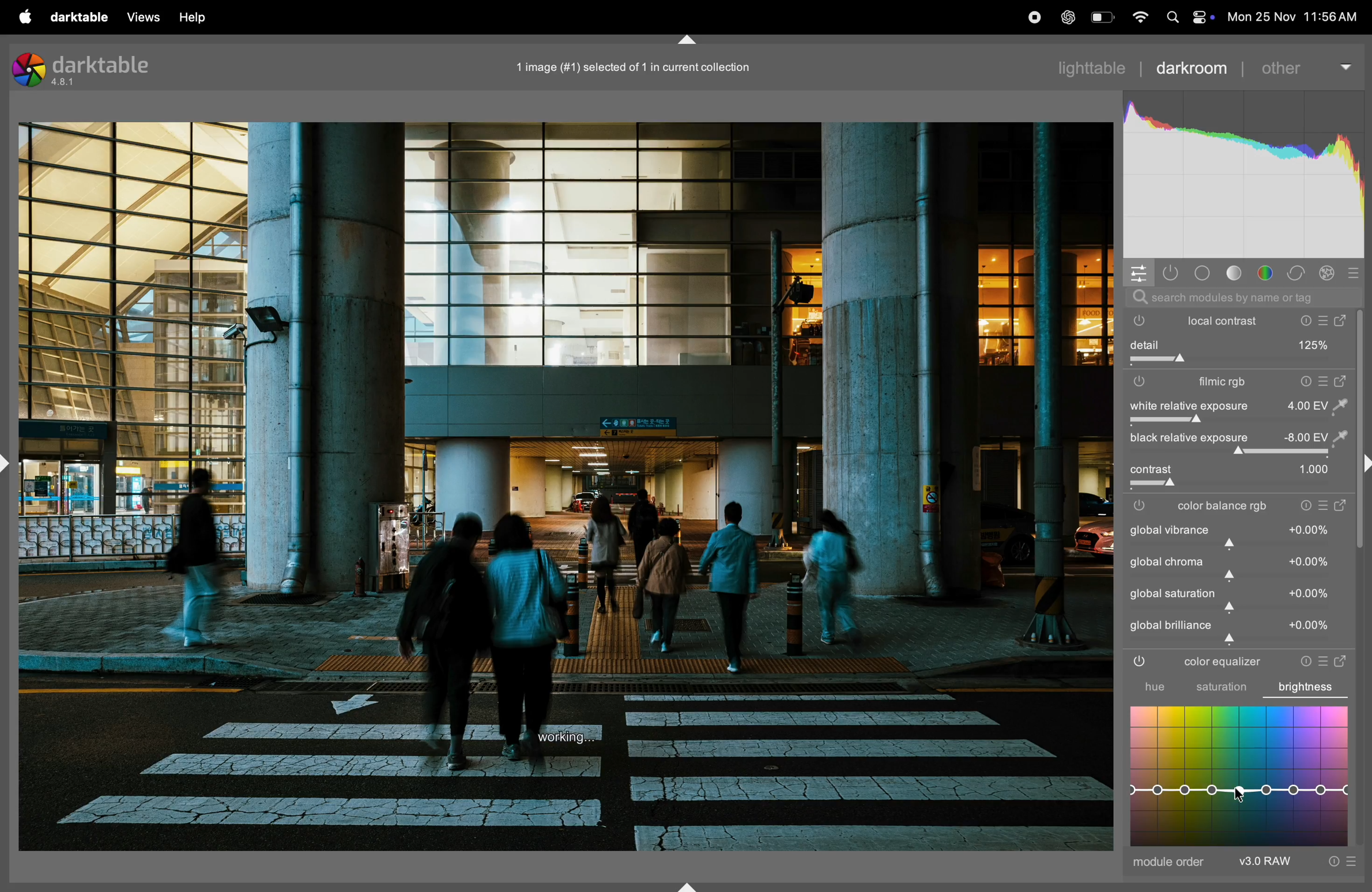 The image size is (1372, 892). Describe the element at coordinates (1306, 66) in the screenshot. I see `other` at that location.